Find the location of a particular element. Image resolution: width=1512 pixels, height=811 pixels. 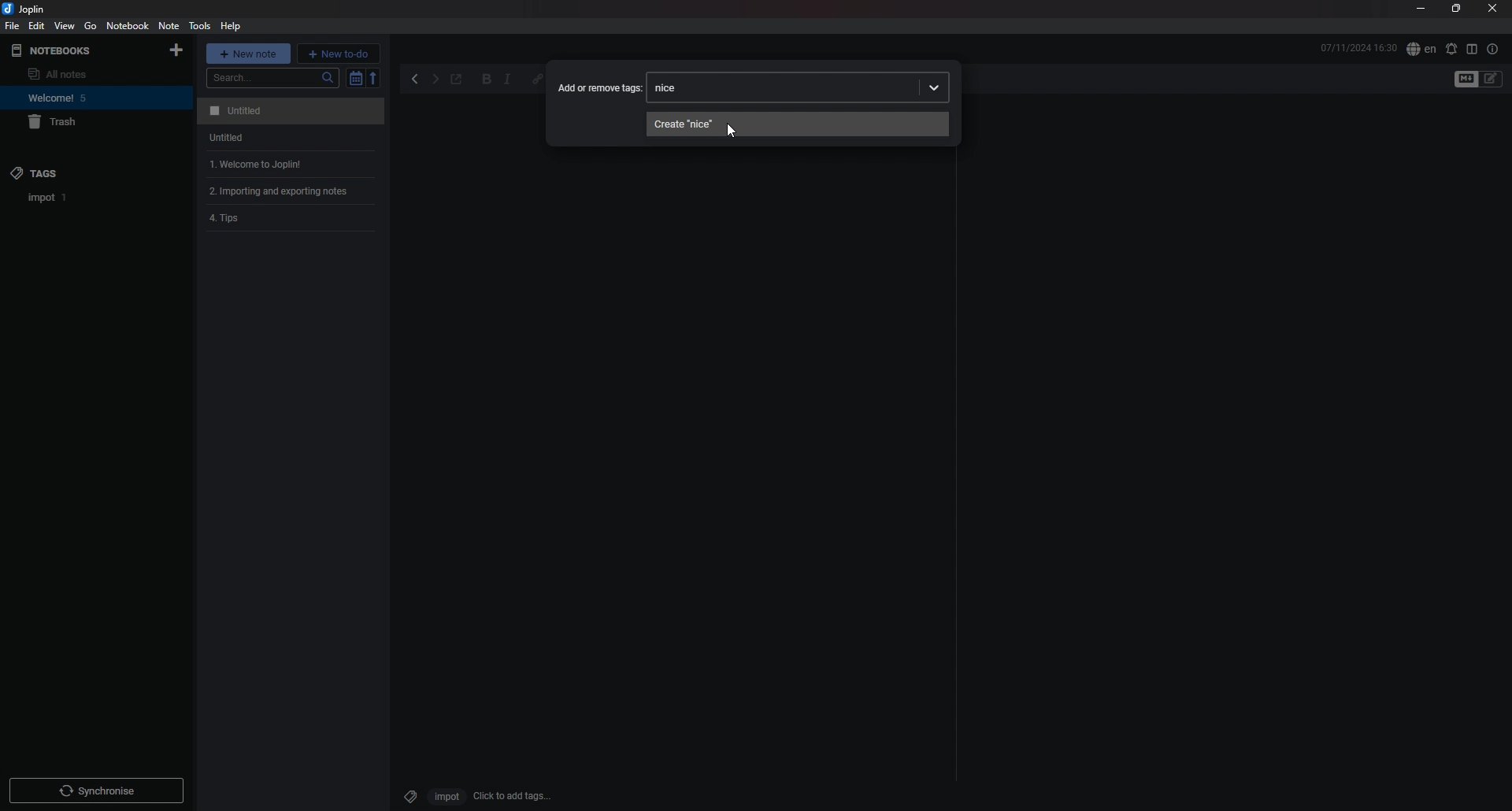

new todo is located at coordinates (339, 53).